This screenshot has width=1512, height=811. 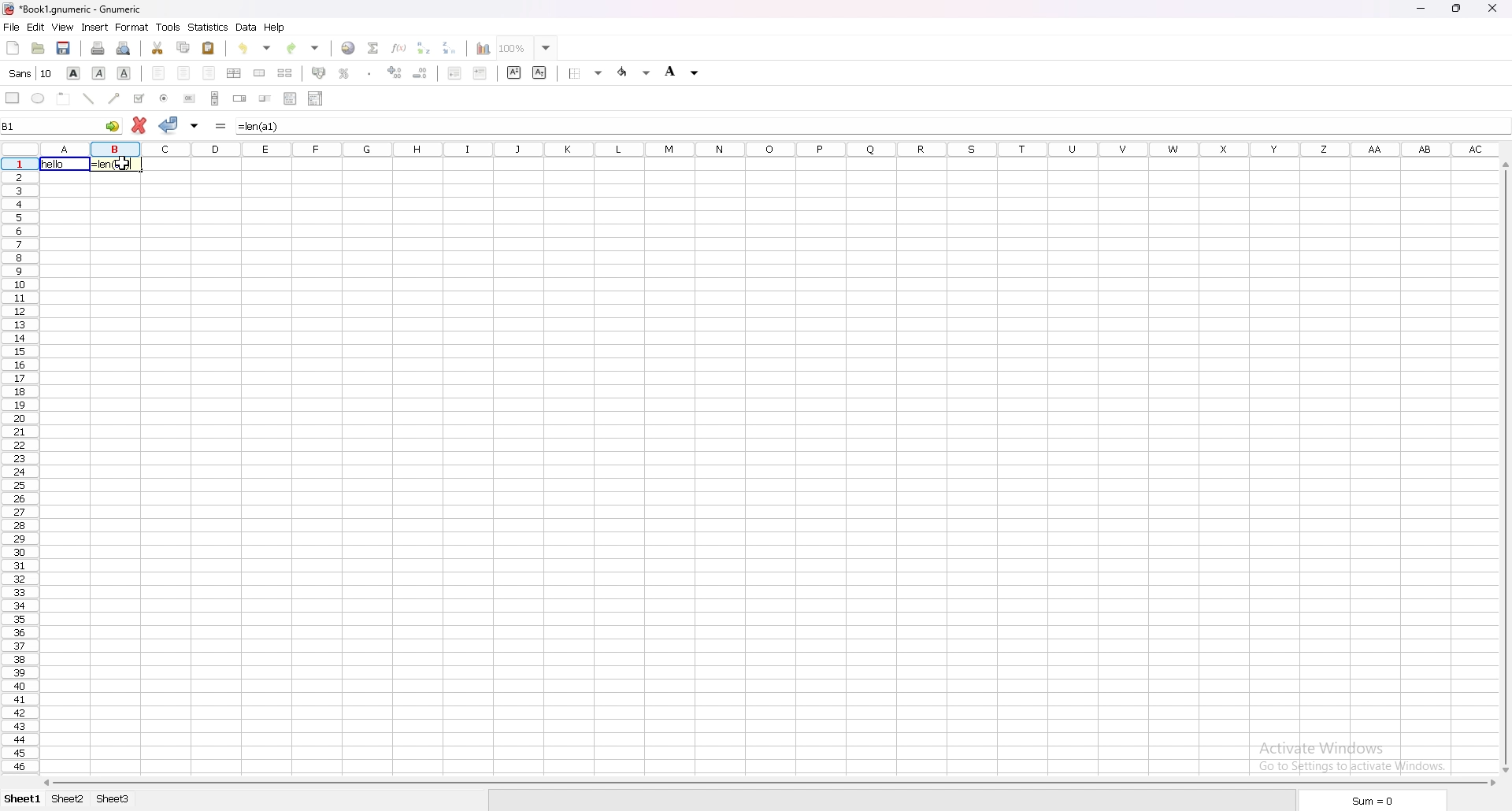 What do you see at coordinates (291, 98) in the screenshot?
I see `create list` at bounding box center [291, 98].